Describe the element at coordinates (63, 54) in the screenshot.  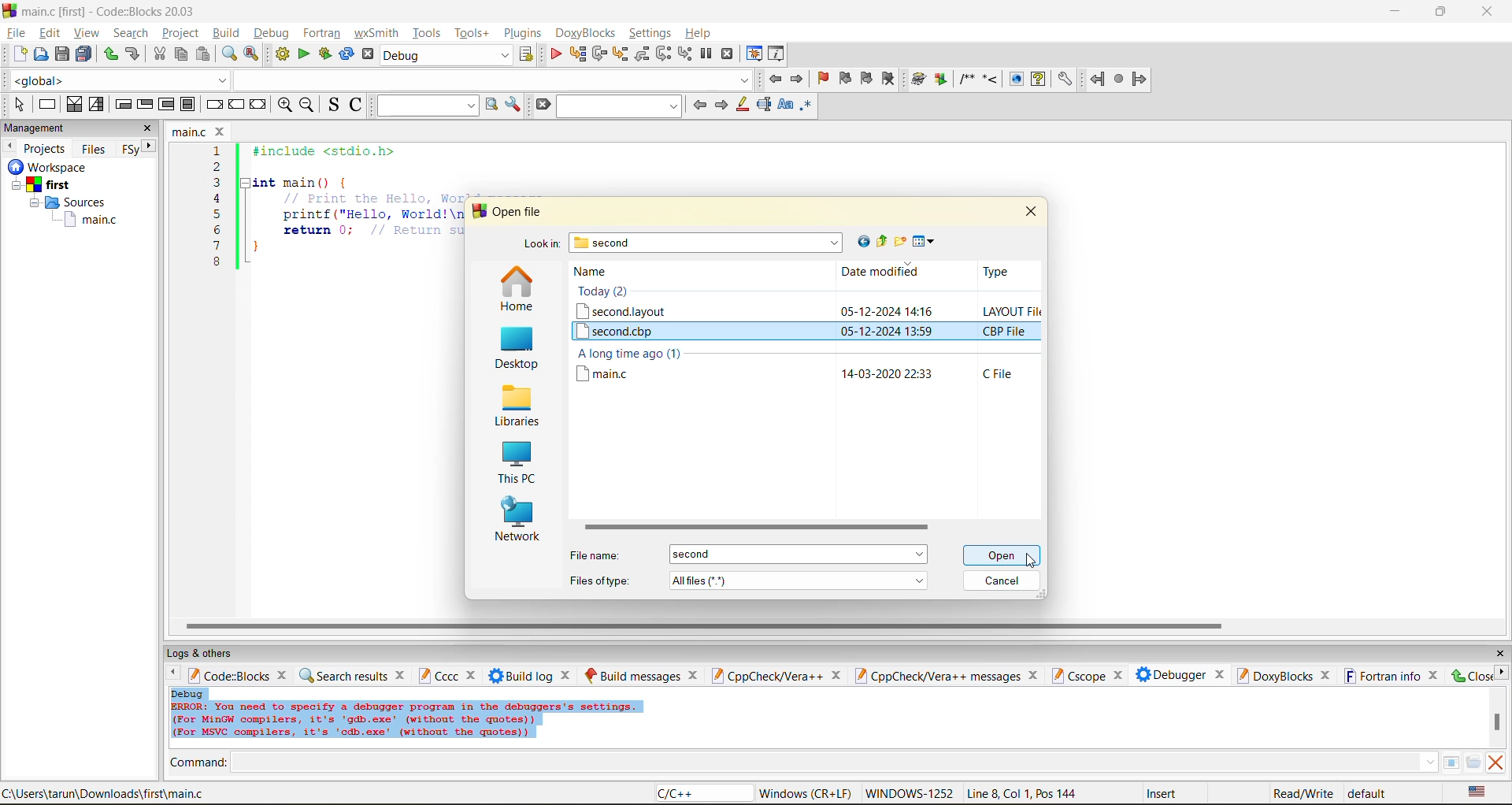
I see `save` at that location.